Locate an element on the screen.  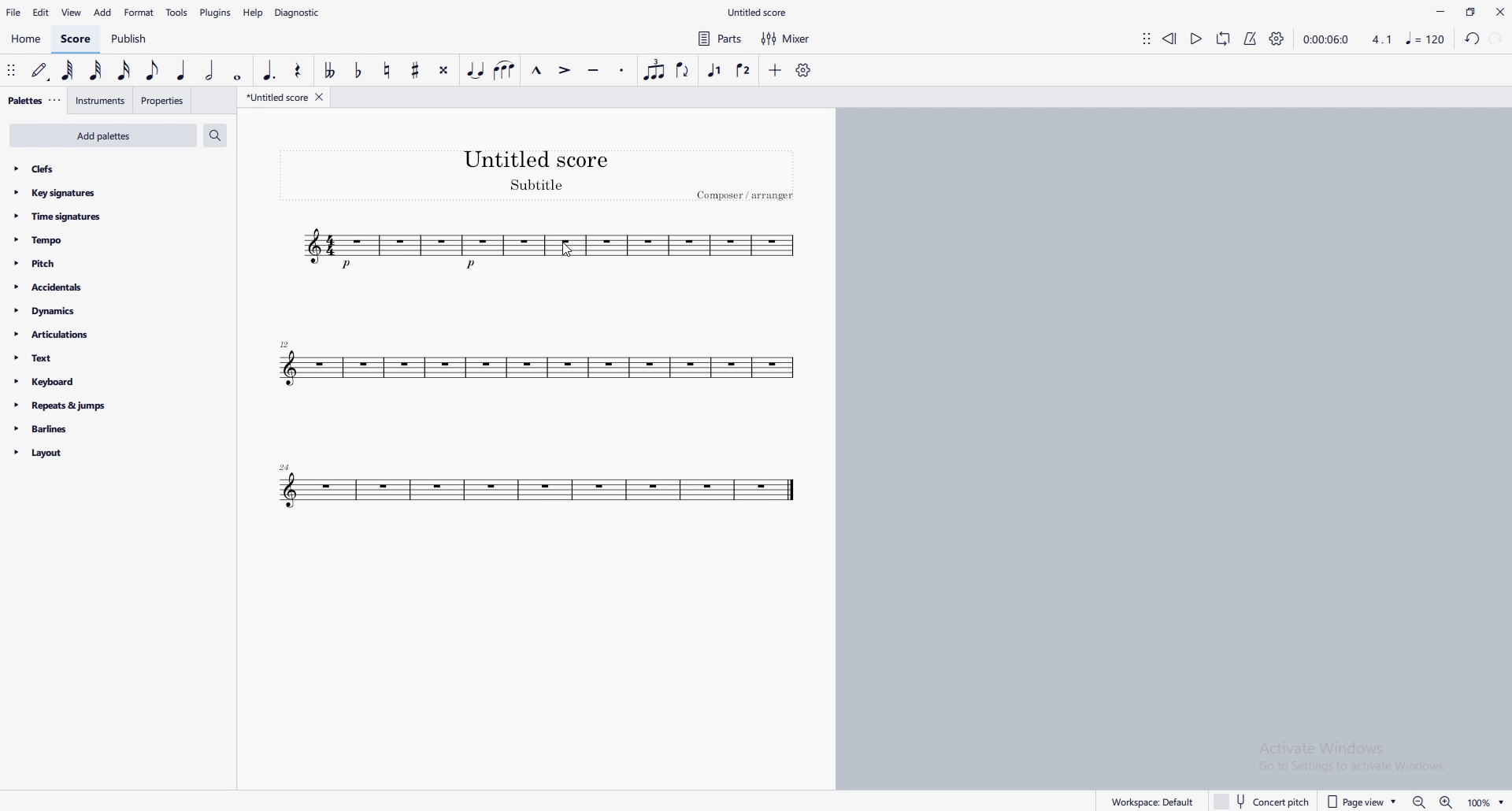
page view is located at coordinates (1362, 802).